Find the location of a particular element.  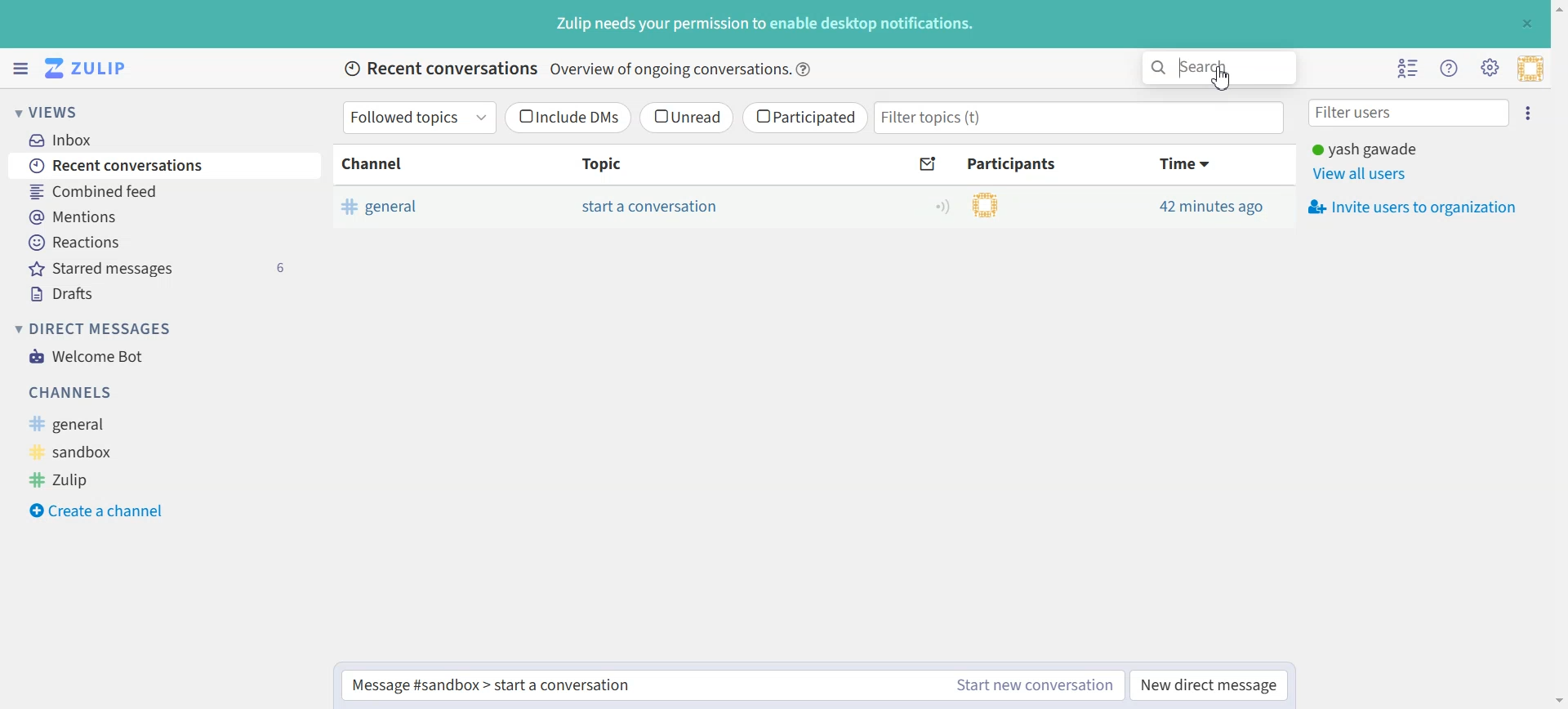

Participants  is located at coordinates (960, 204).